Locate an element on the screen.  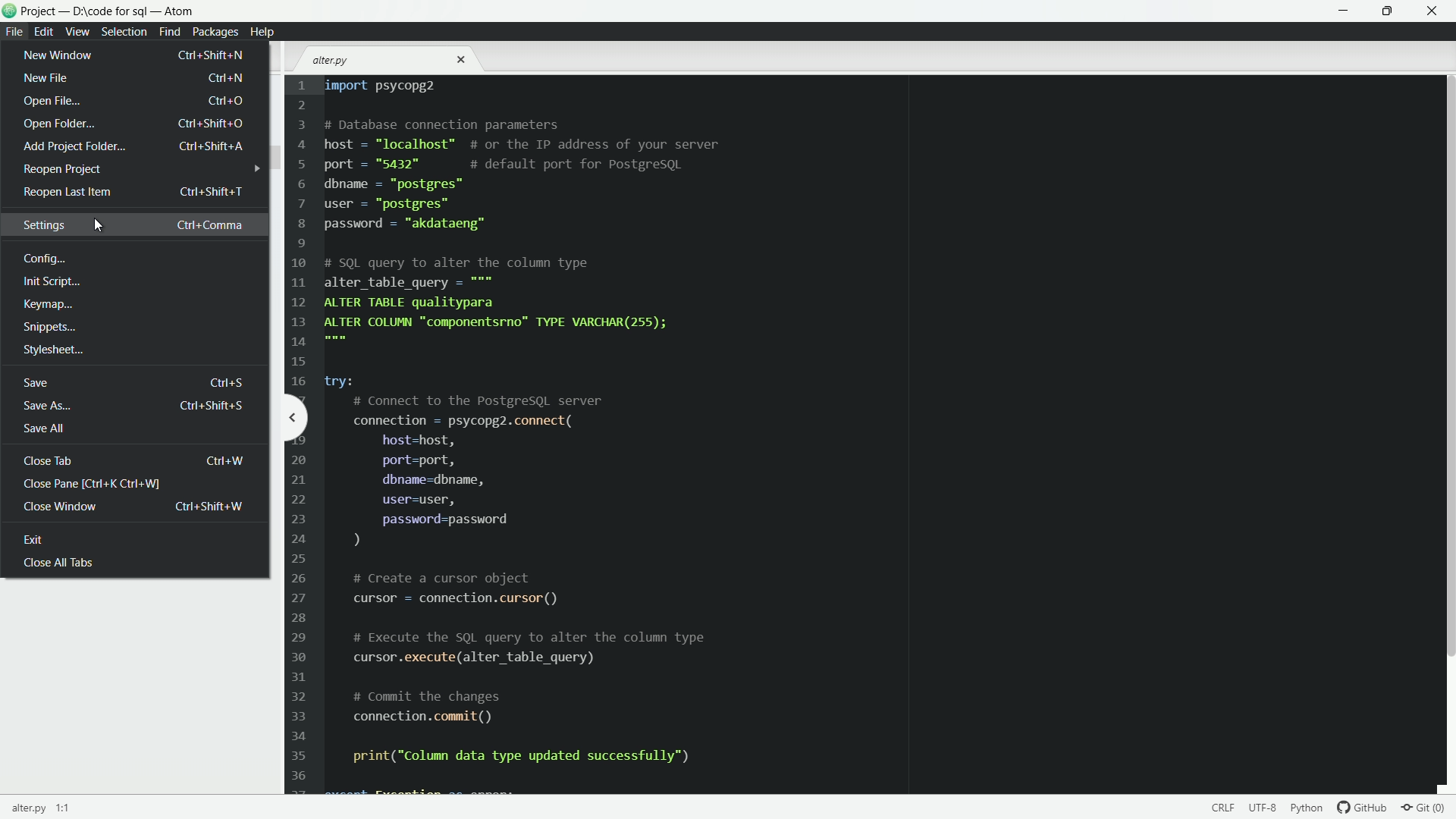
close window is located at coordinates (134, 507).